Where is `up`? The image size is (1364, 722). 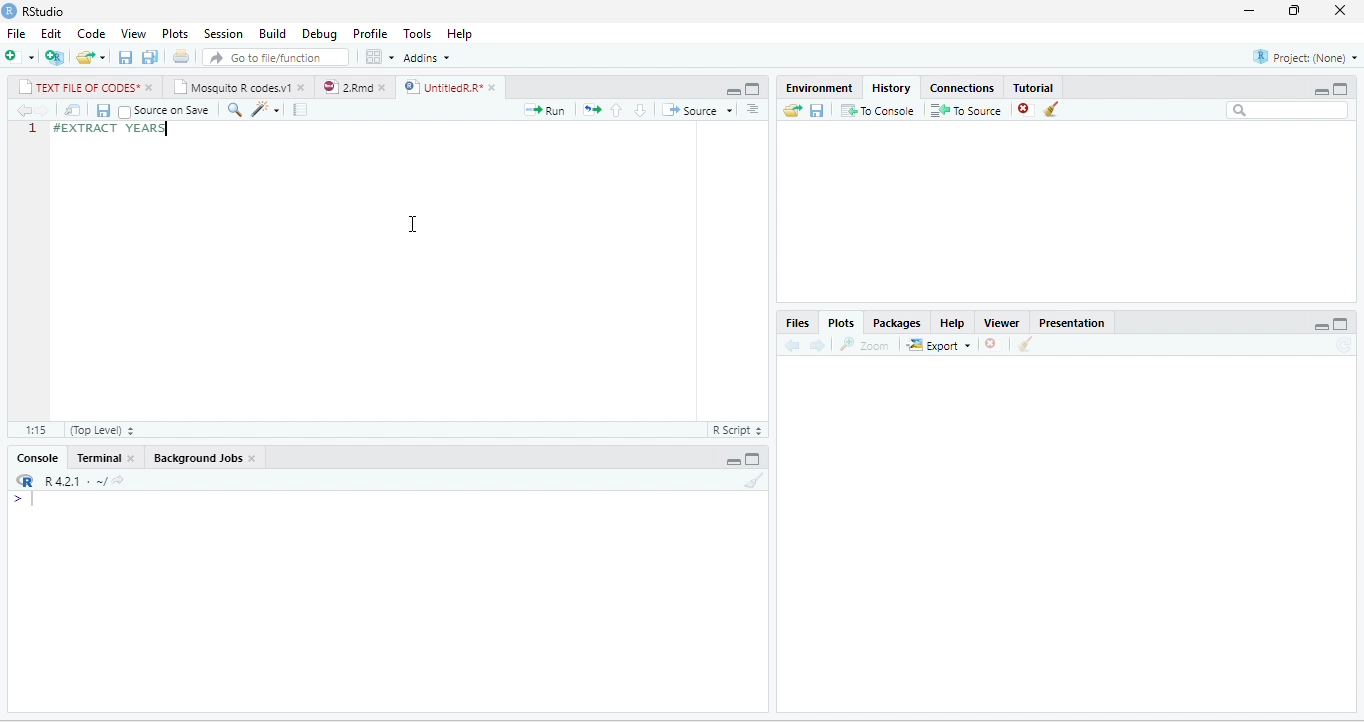 up is located at coordinates (616, 110).